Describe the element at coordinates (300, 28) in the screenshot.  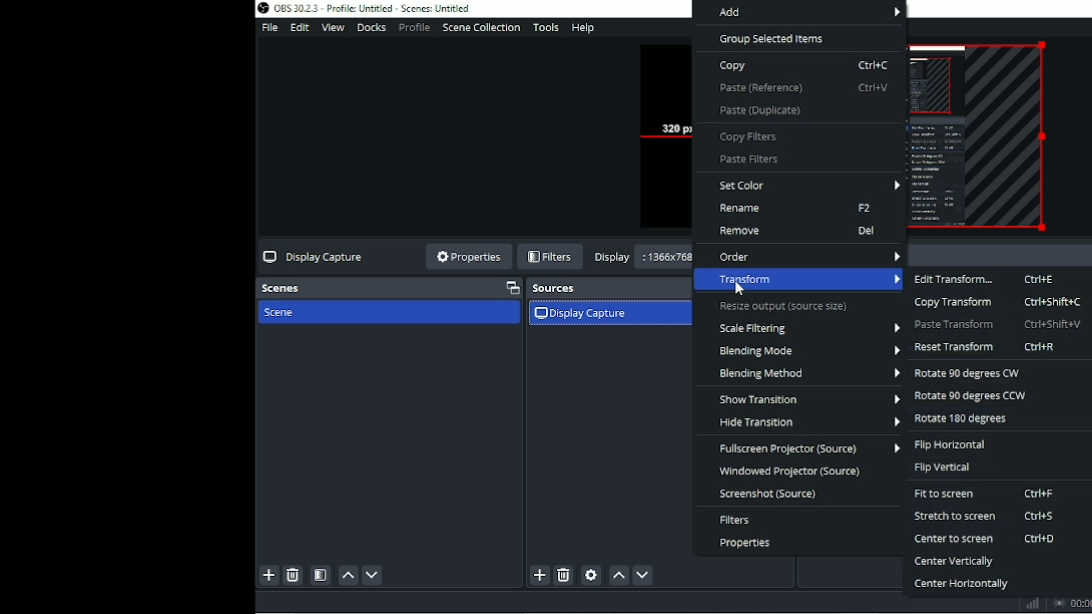
I see `Edit` at that location.